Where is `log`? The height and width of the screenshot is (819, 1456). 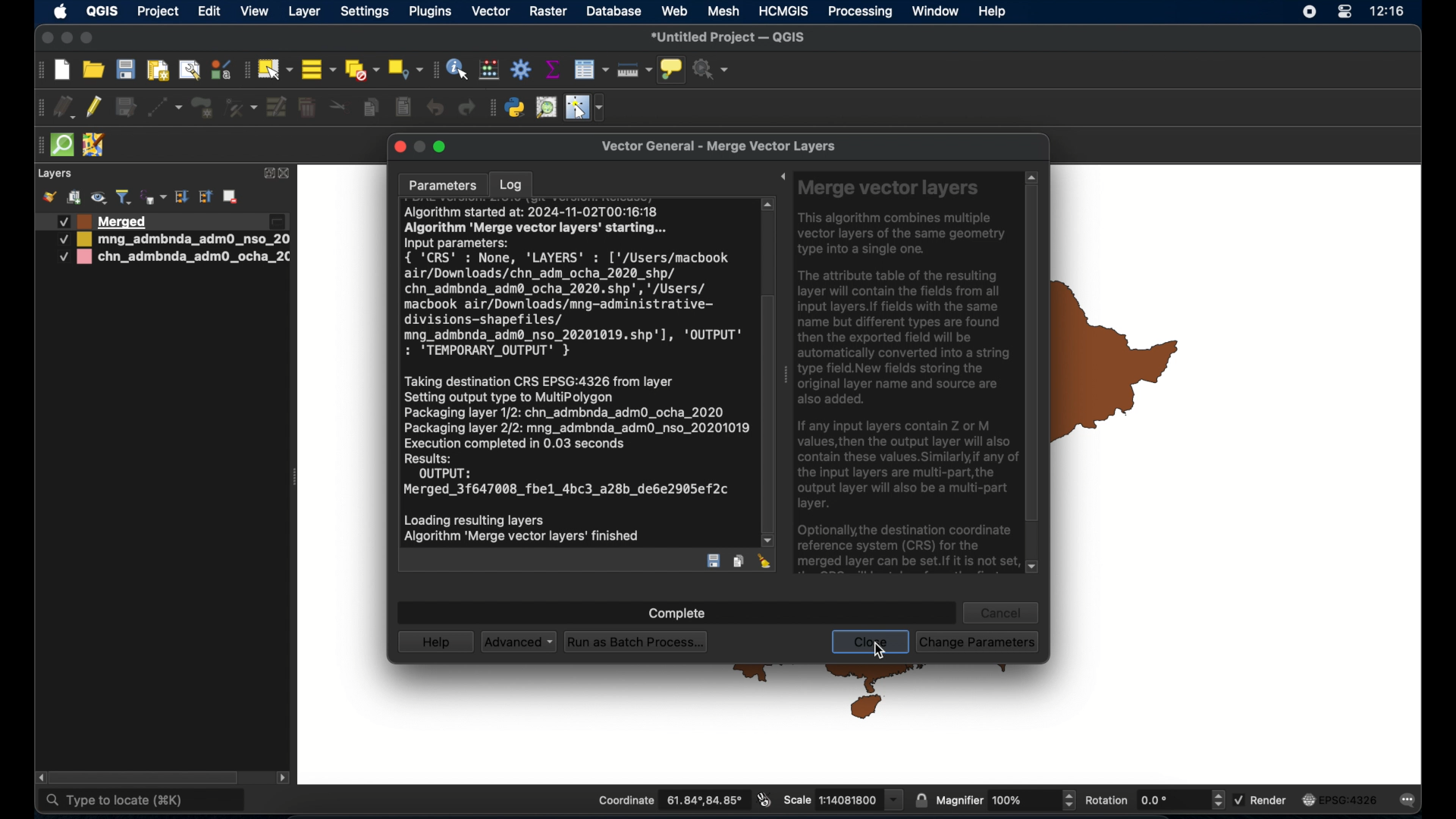 log is located at coordinates (512, 184).